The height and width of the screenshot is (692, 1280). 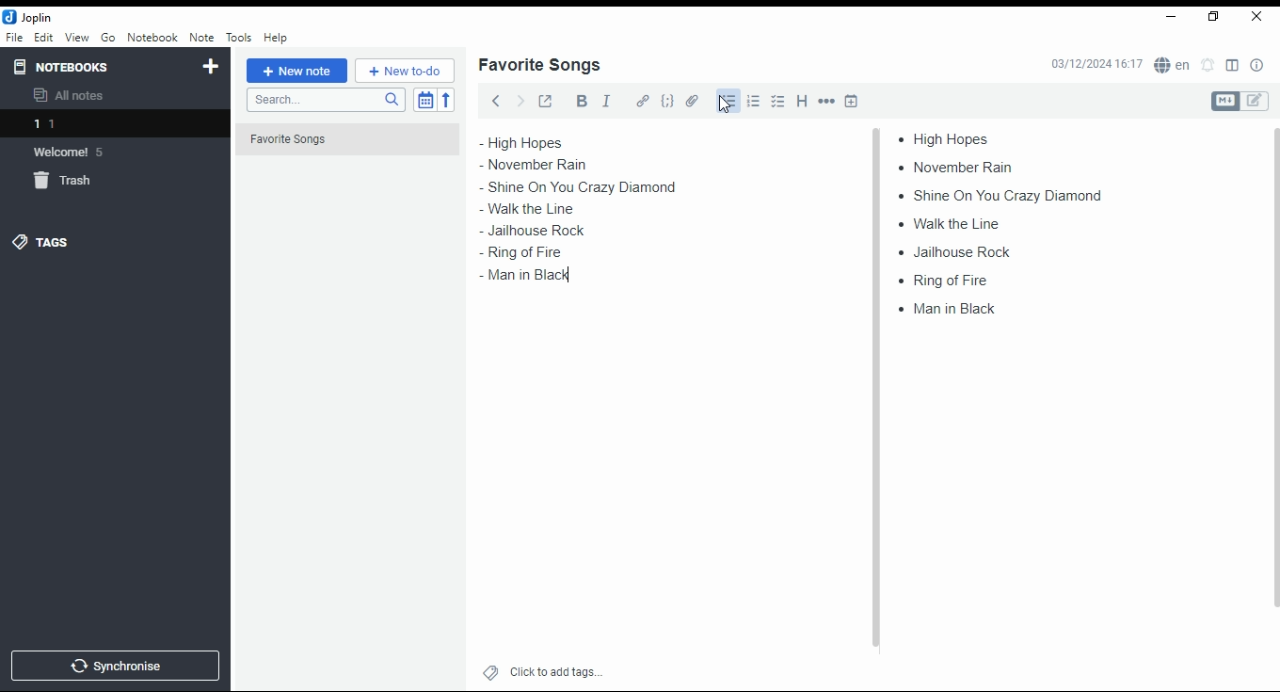 What do you see at coordinates (524, 254) in the screenshot?
I see `ring of fire` at bounding box center [524, 254].